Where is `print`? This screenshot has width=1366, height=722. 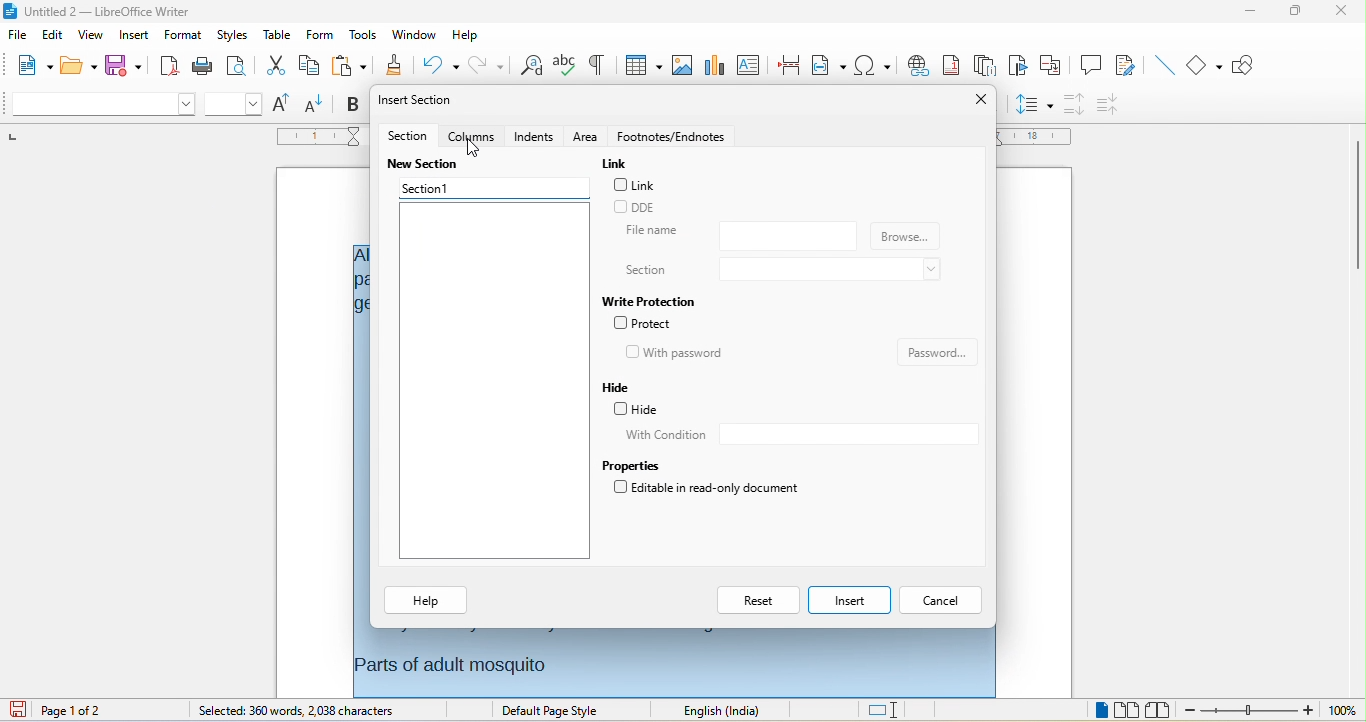
print is located at coordinates (203, 64).